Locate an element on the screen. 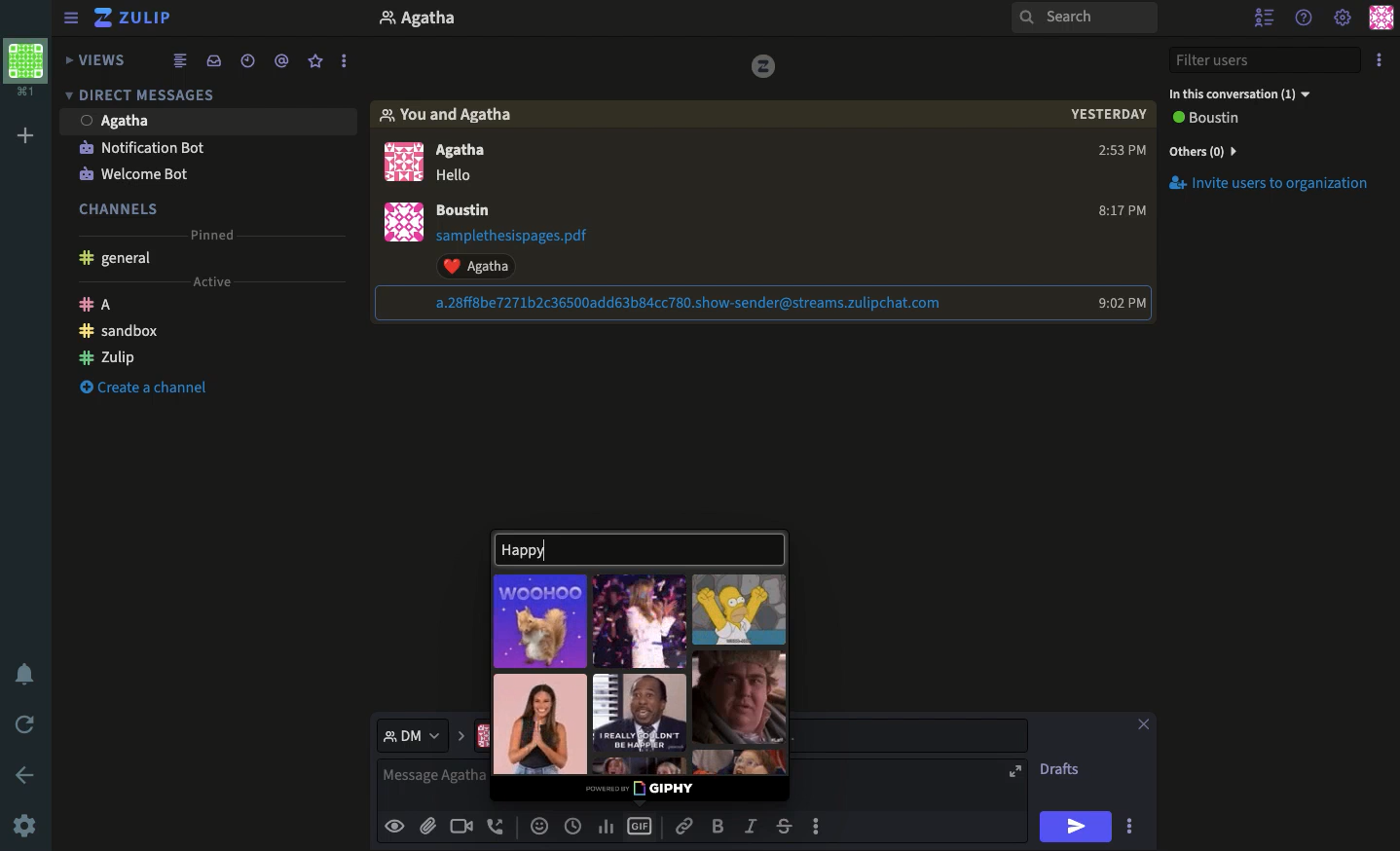  Italics is located at coordinates (753, 825).